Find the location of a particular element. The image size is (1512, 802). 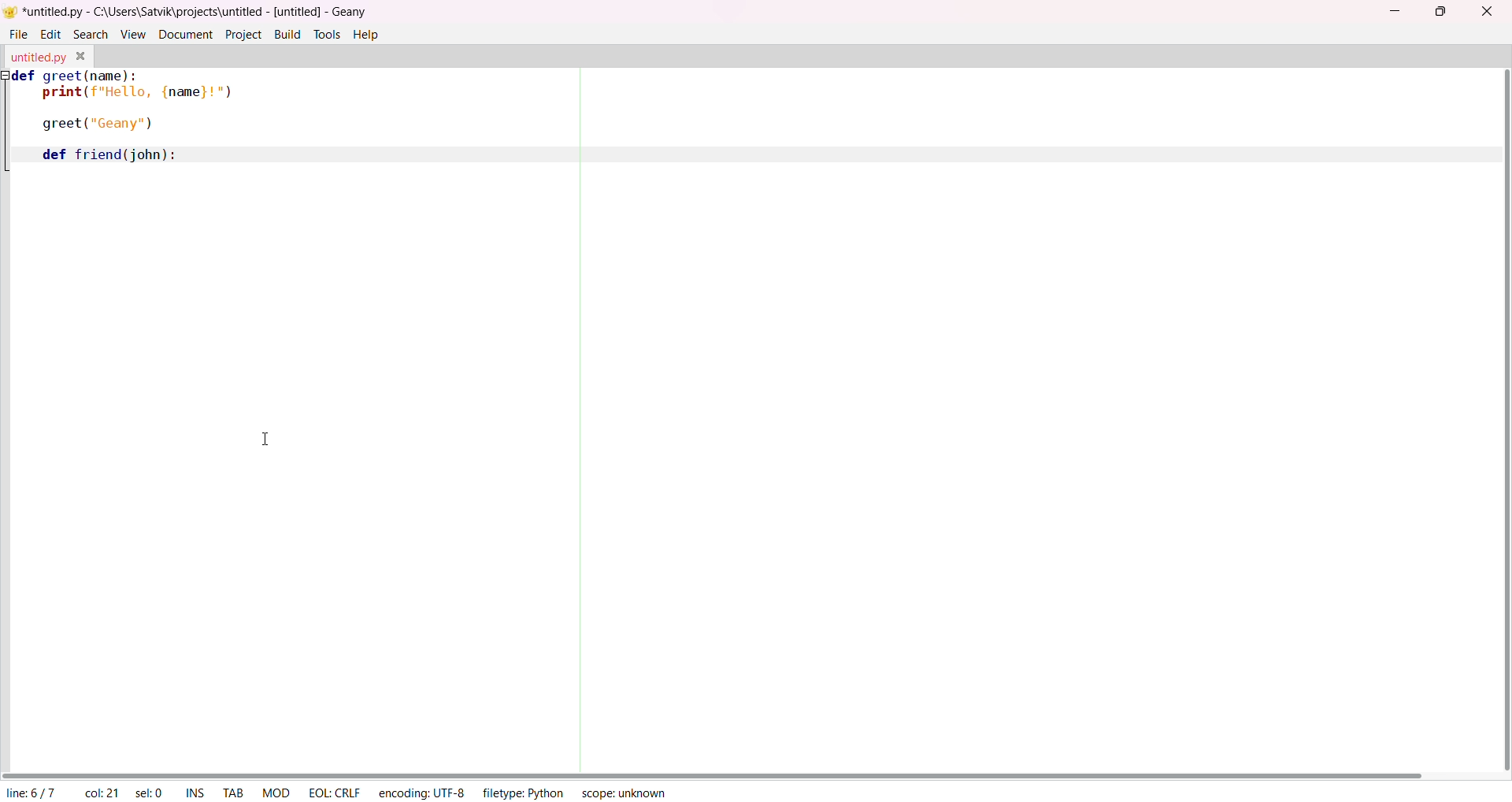

encoding: UTF-8 is located at coordinates (421, 791).